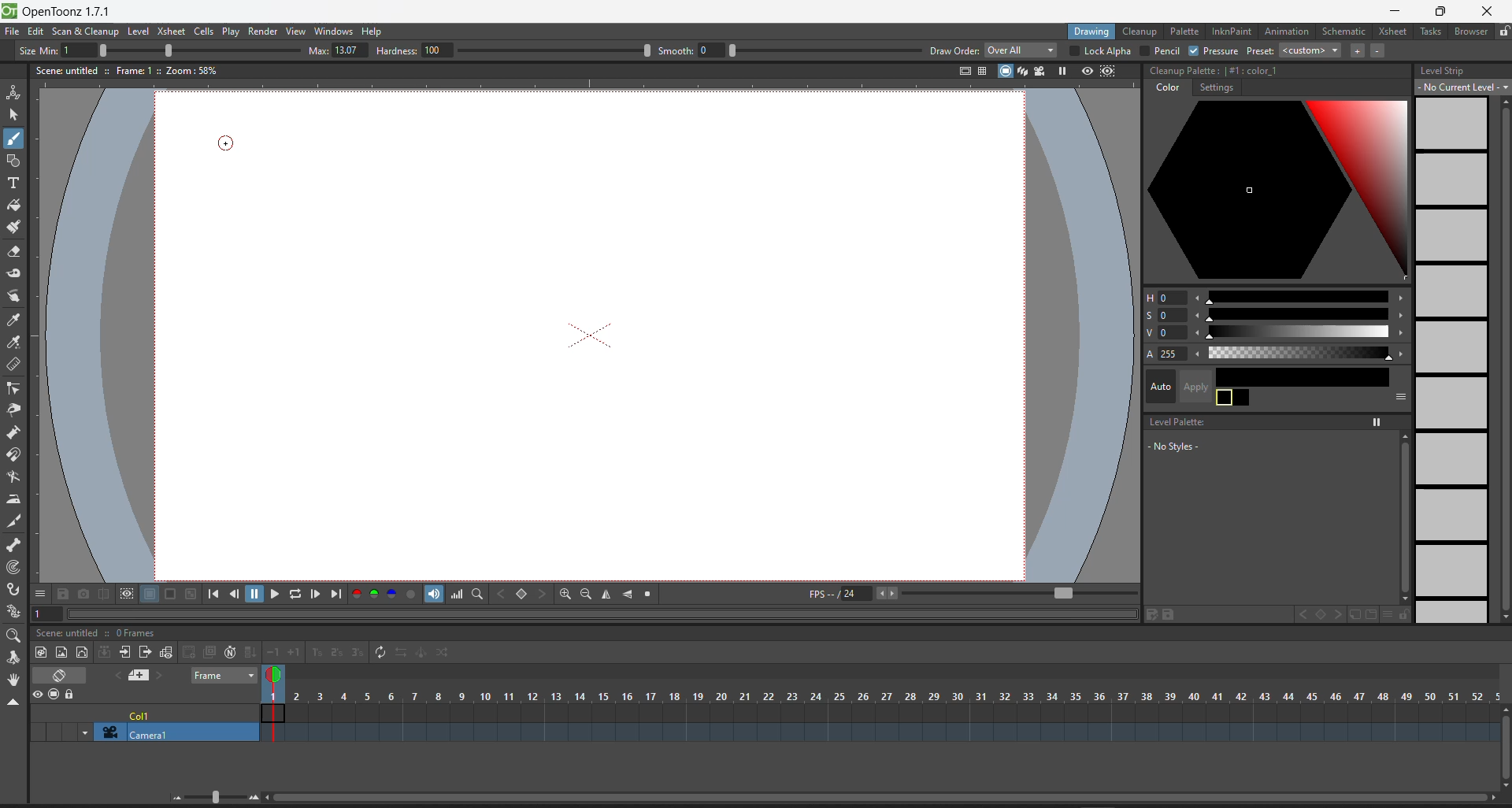 The width and height of the screenshot is (1512, 808). Describe the element at coordinates (16, 160) in the screenshot. I see `geometric tool` at that location.